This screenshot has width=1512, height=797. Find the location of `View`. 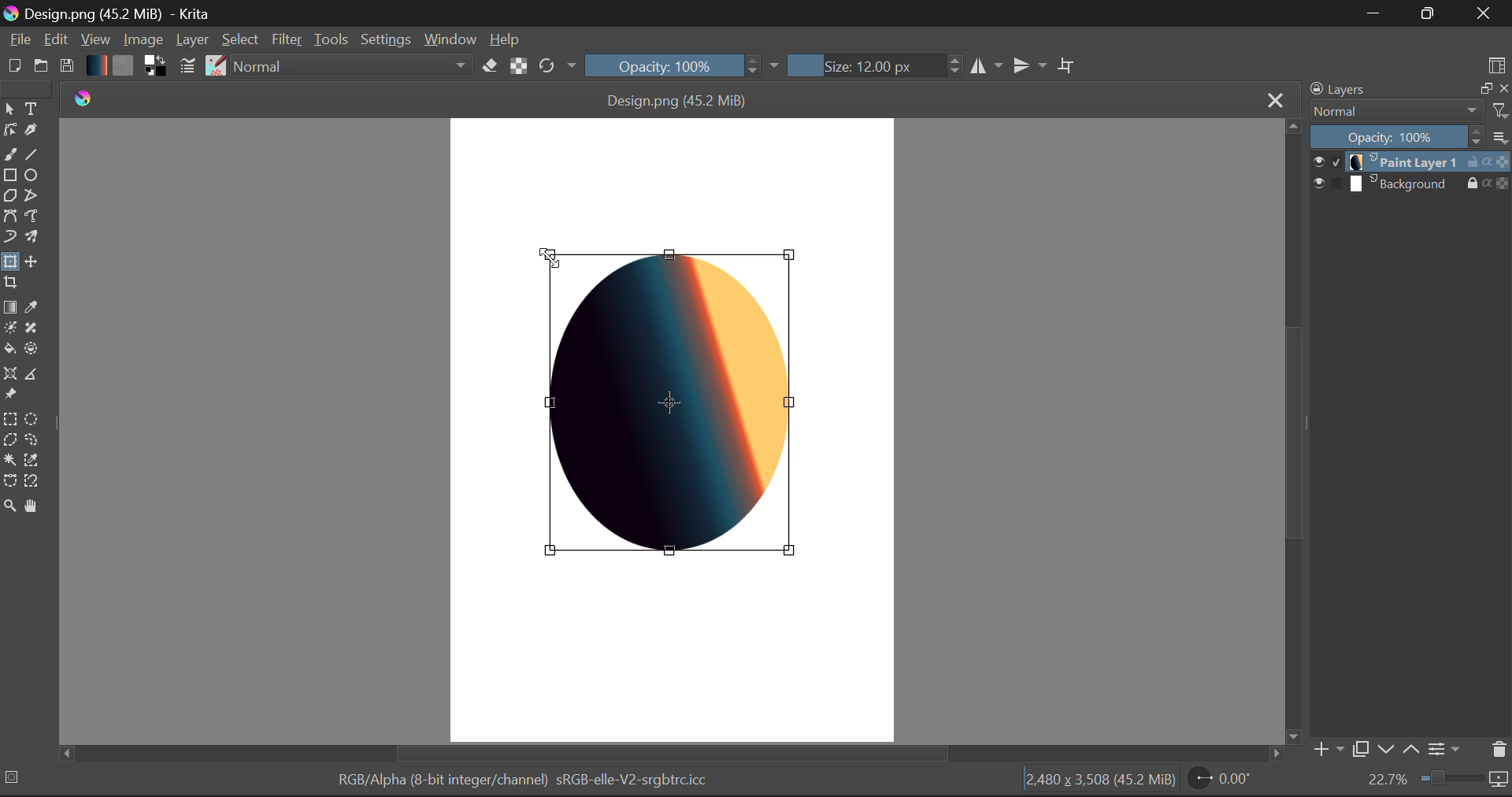

View is located at coordinates (94, 39).